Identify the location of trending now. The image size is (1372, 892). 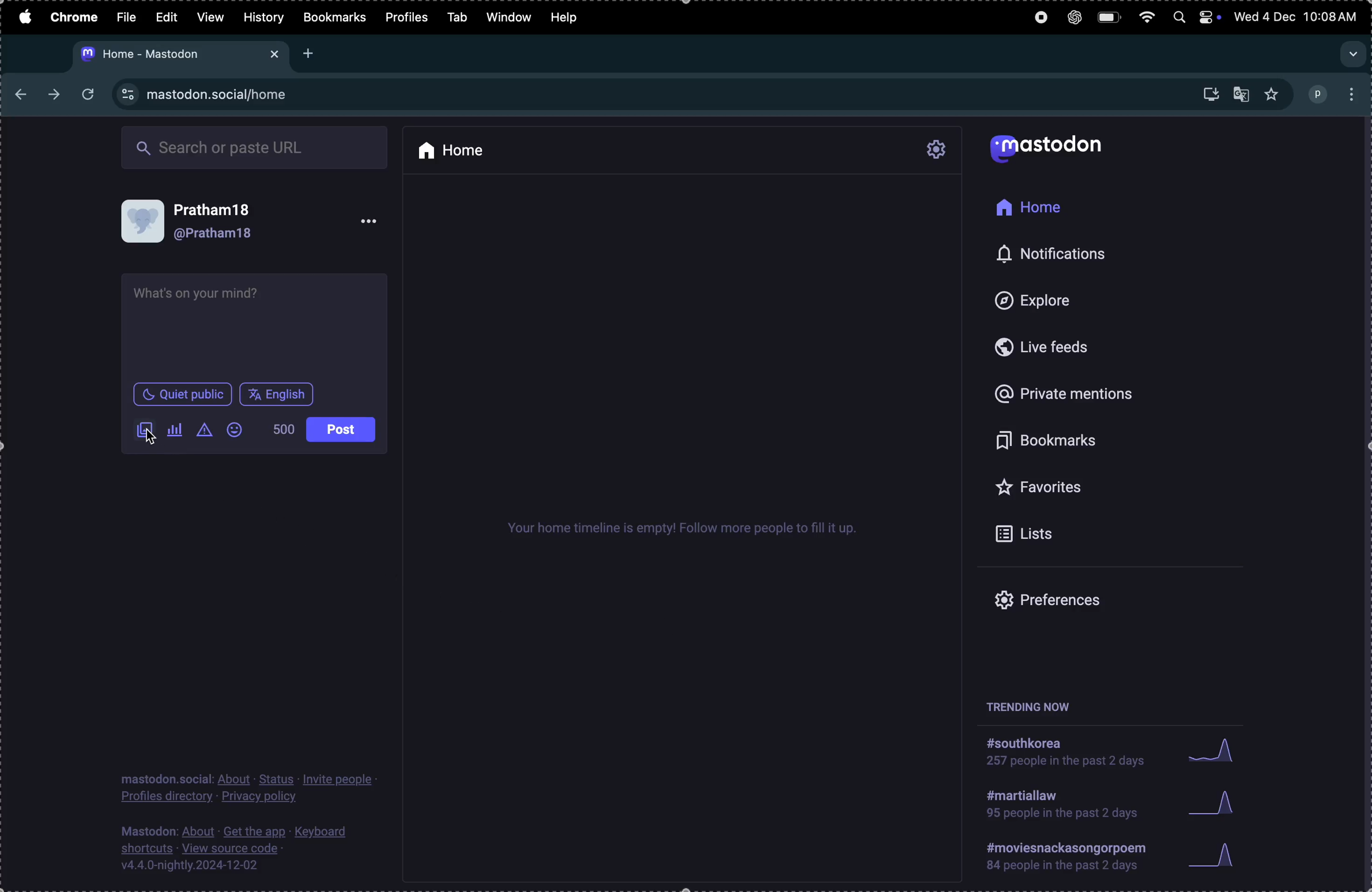
(1027, 706).